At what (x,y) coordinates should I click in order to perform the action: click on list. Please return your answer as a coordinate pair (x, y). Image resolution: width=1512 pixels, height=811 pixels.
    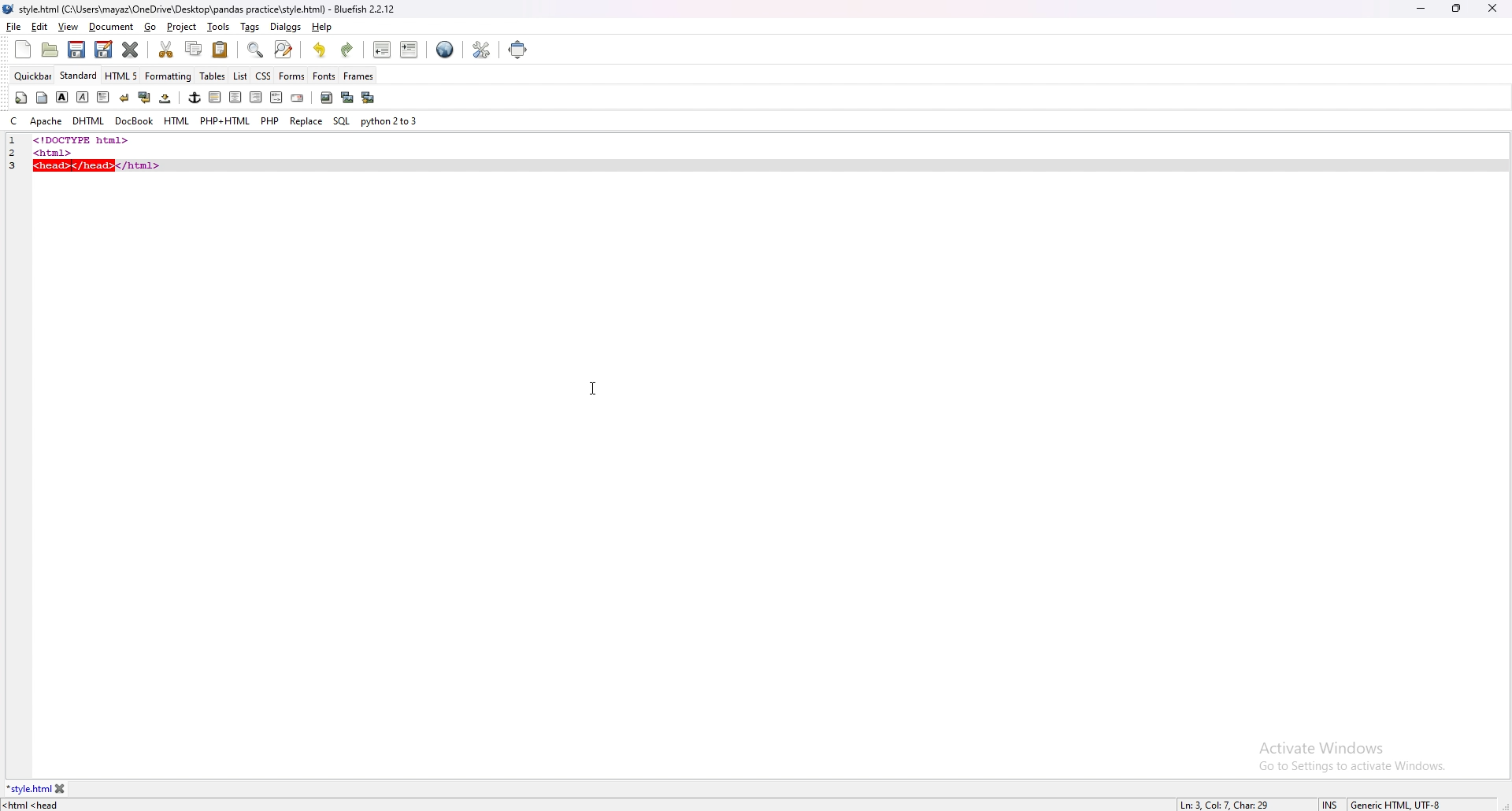
    Looking at the image, I should click on (240, 75).